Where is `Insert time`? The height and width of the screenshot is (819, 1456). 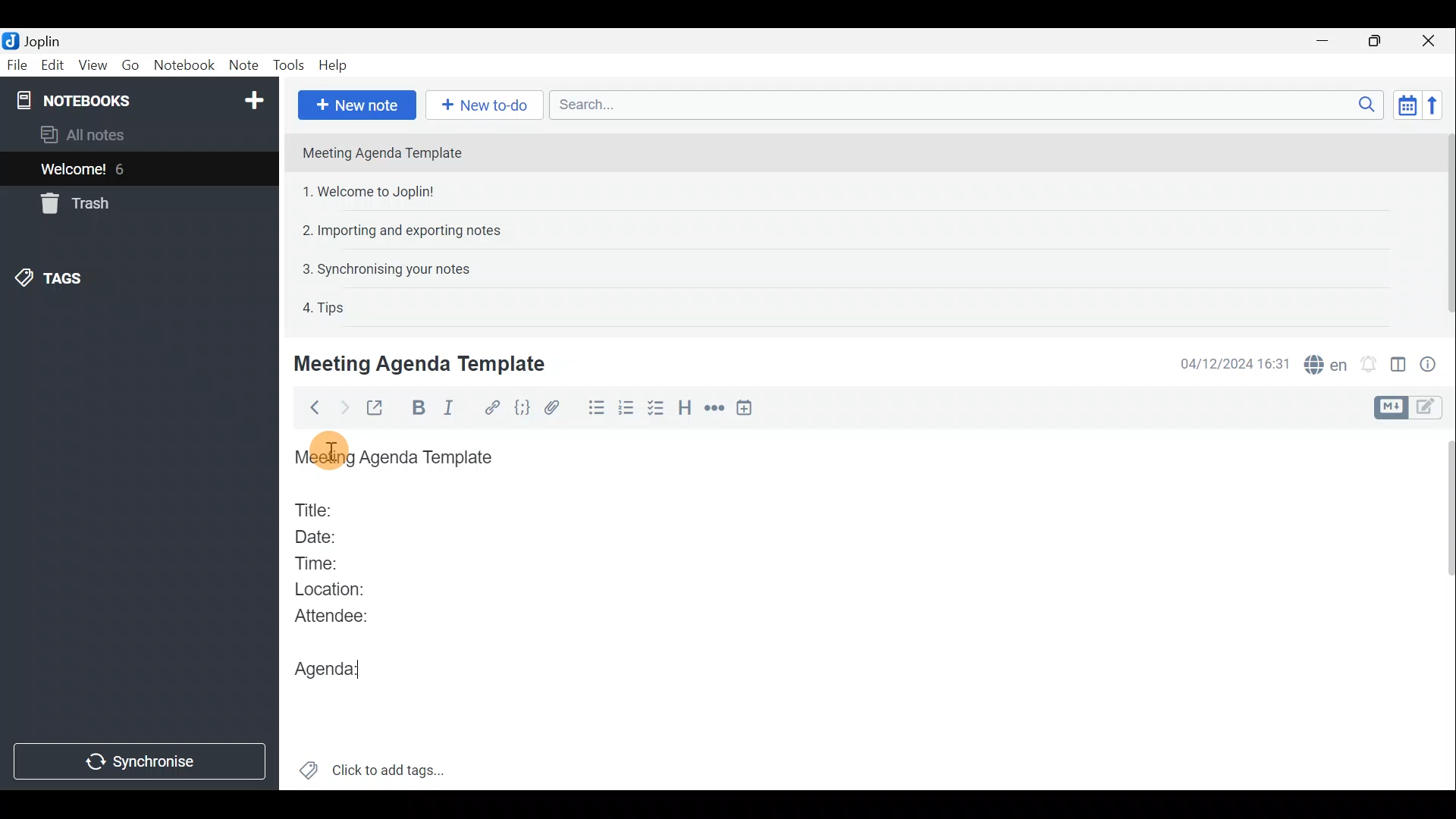
Insert time is located at coordinates (748, 410).